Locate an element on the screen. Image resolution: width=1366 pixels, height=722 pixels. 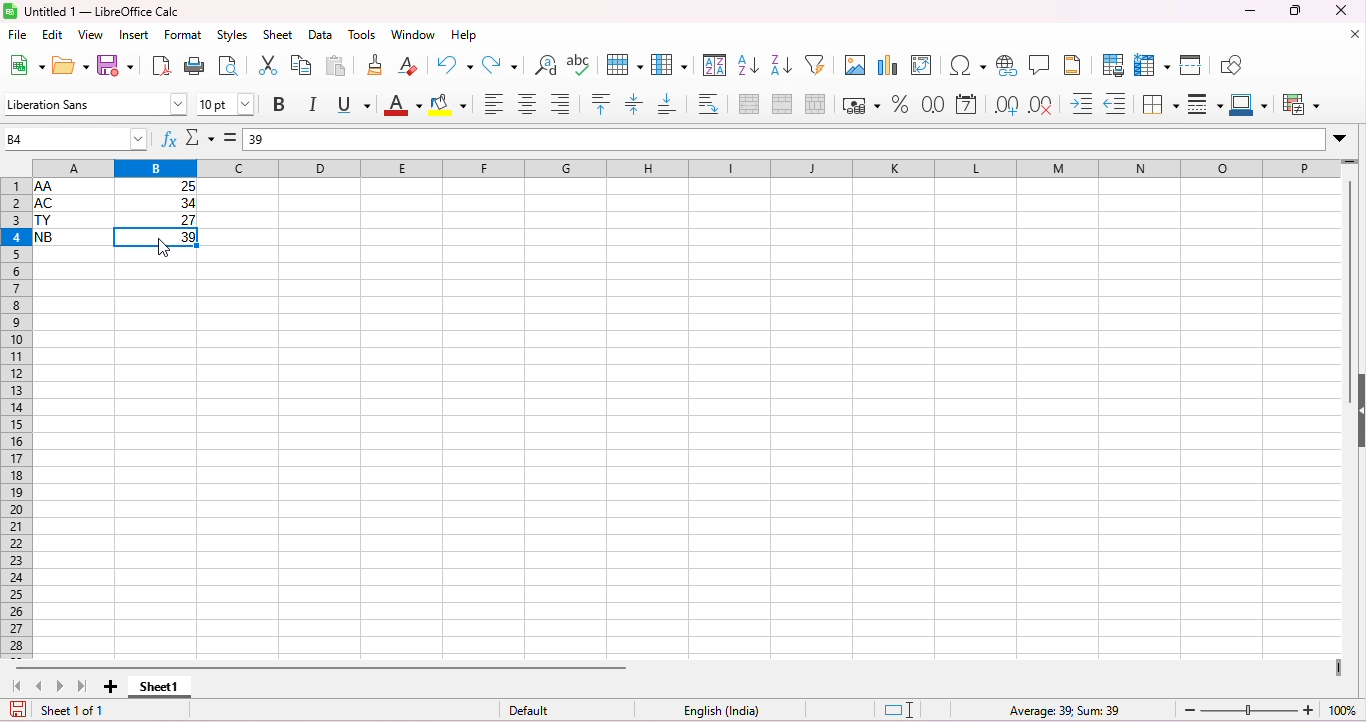
insert special characters is located at coordinates (968, 66).